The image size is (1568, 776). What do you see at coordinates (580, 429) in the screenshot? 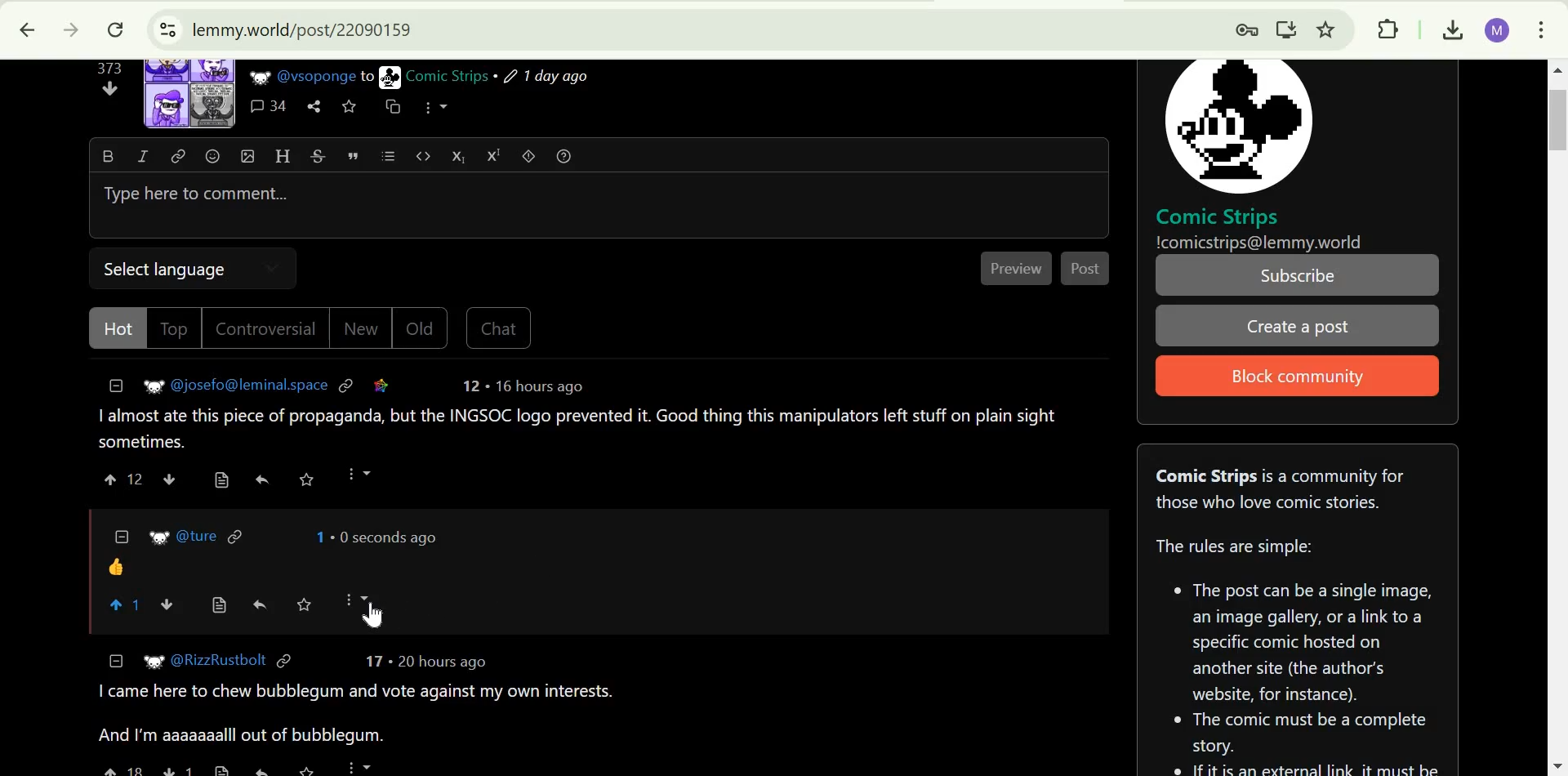
I see `Comment` at bounding box center [580, 429].